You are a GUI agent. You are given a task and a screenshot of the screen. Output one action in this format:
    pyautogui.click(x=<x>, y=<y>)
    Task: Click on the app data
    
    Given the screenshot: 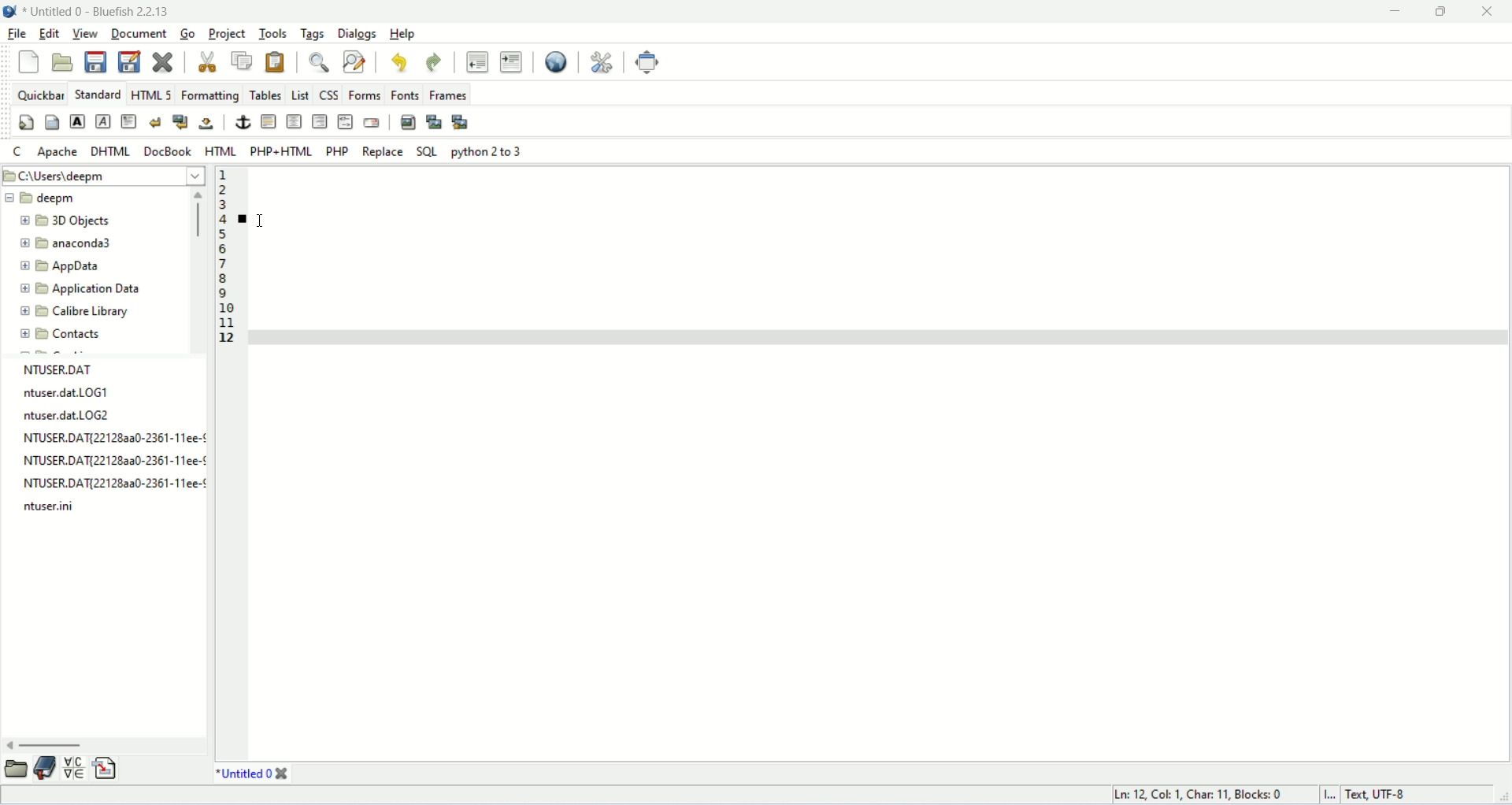 What is the action you would take?
    pyautogui.click(x=61, y=265)
    